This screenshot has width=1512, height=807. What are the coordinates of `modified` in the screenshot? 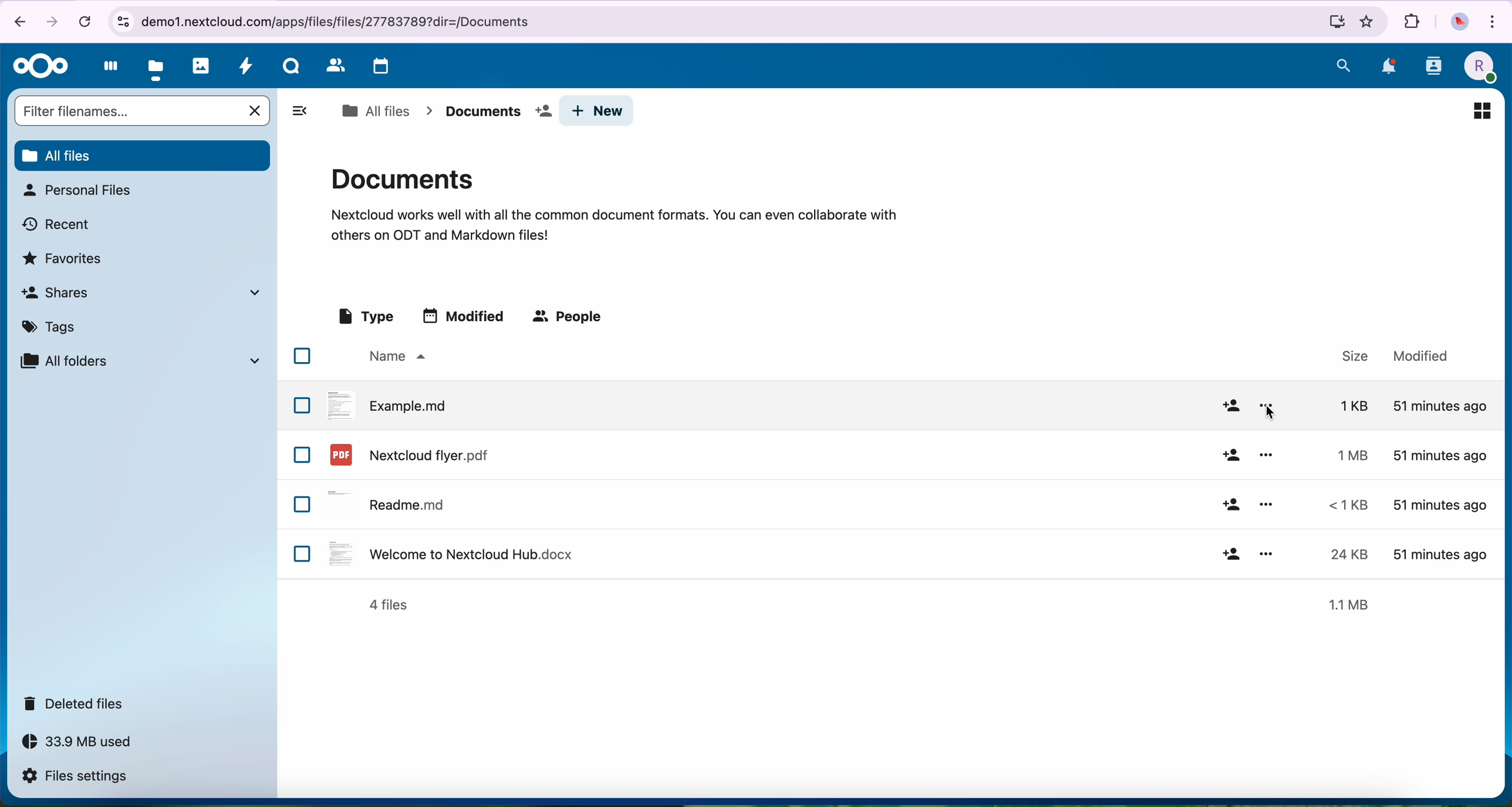 It's located at (1440, 457).